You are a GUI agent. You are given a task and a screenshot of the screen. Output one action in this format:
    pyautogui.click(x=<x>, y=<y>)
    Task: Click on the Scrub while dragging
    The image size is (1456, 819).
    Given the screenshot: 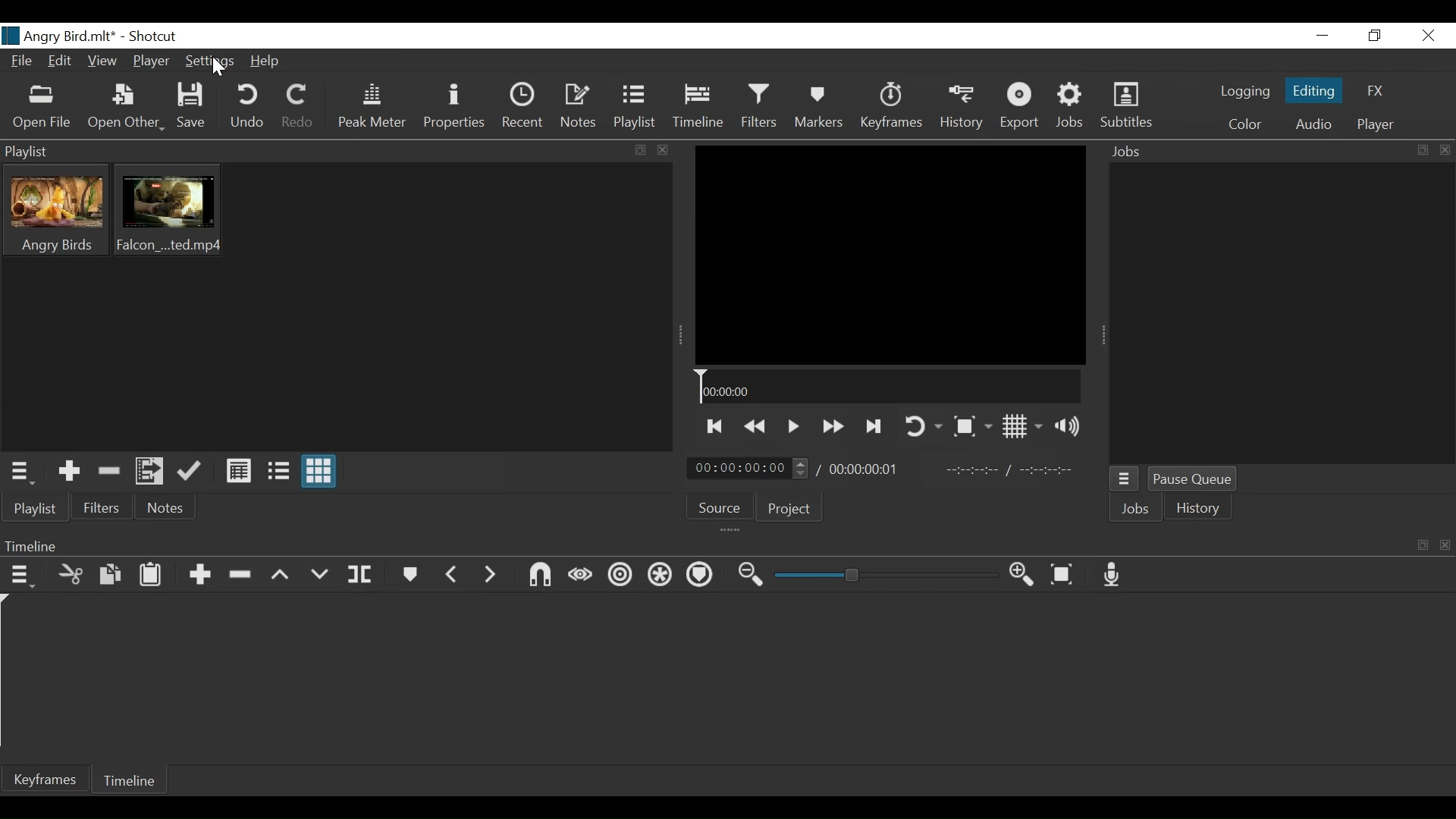 What is the action you would take?
    pyautogui.click(x=579, y=573)
    